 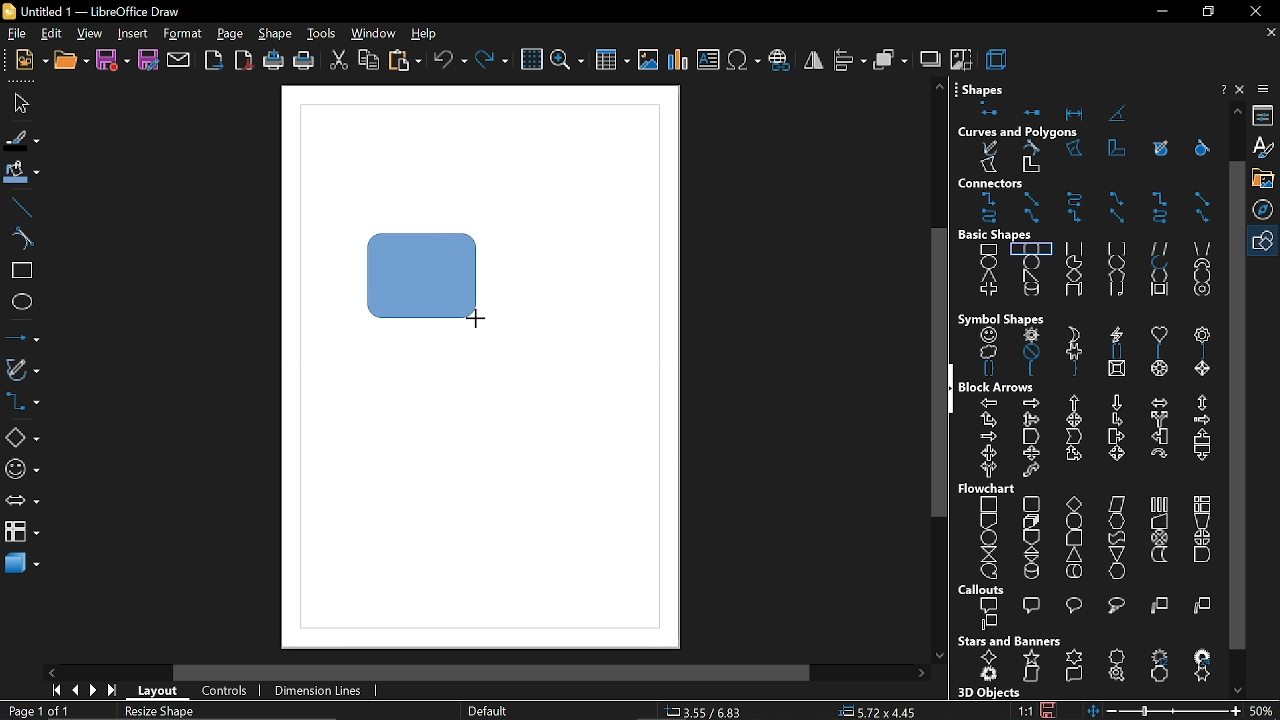 I want to click on page, so click(x=231, y=35).